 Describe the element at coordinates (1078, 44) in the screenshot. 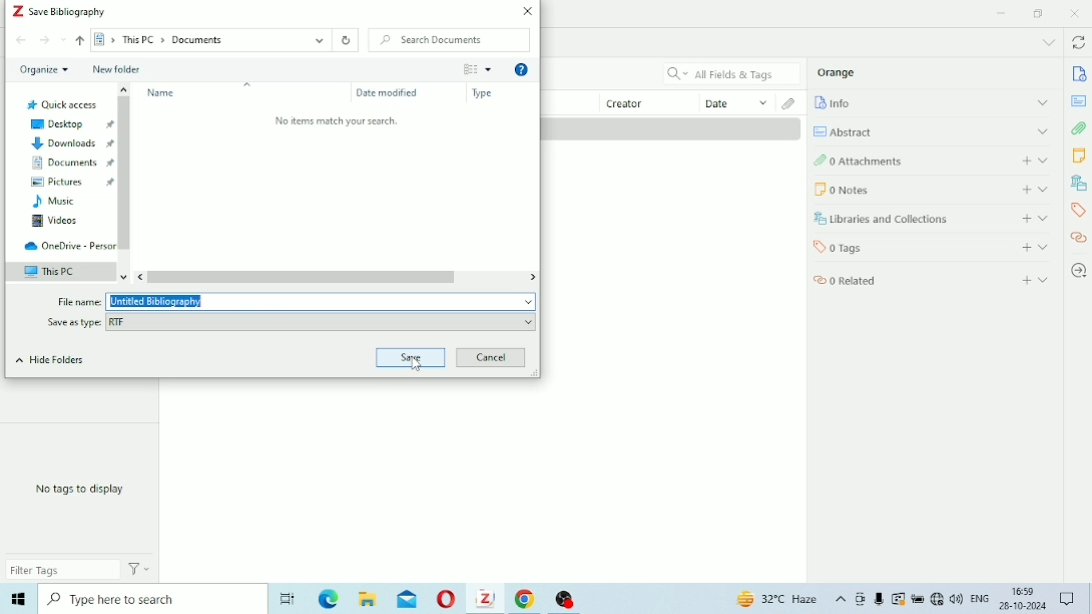

I see `Sync` at that location.